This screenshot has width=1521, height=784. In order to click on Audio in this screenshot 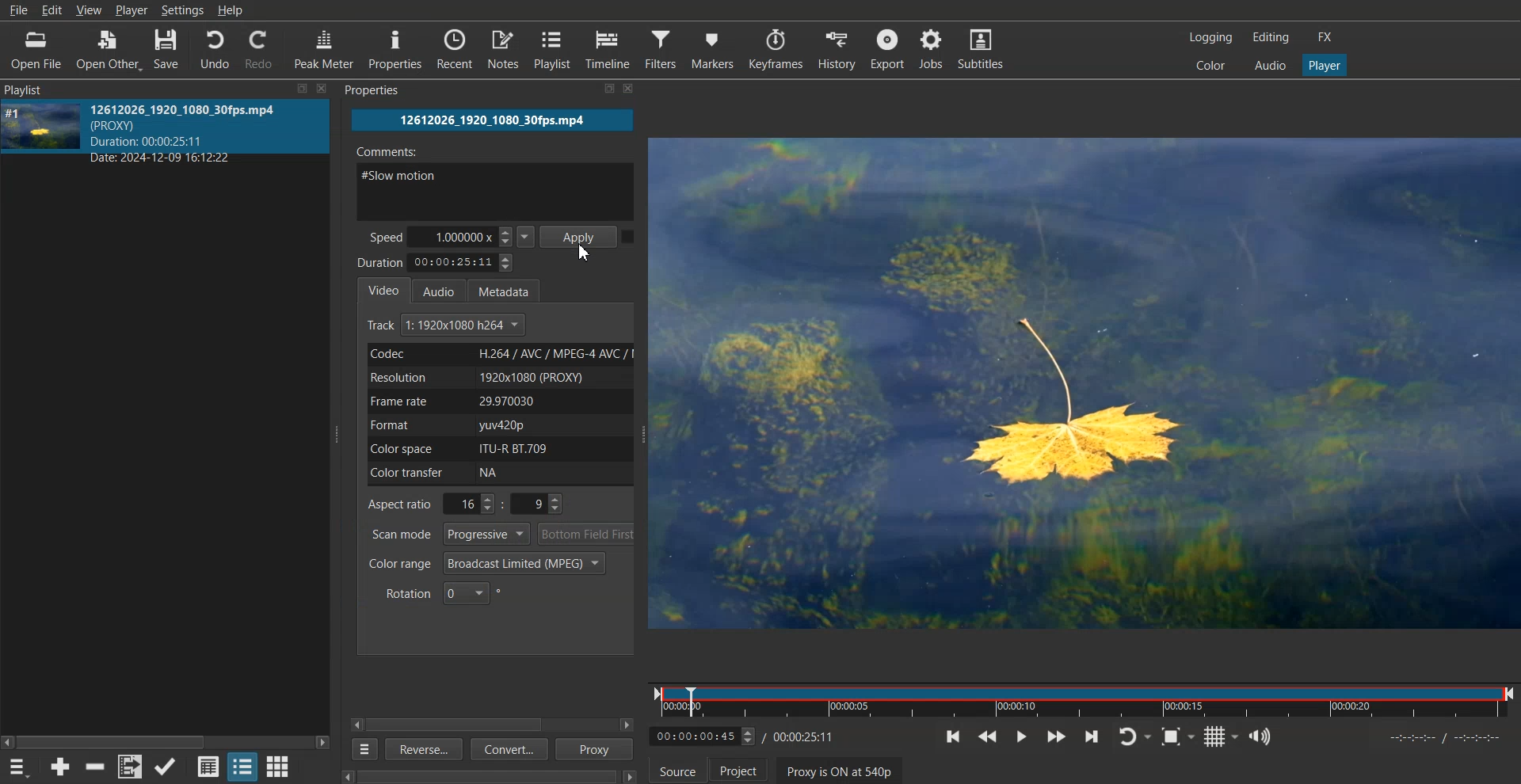, I will do `click(1268, 65)`.